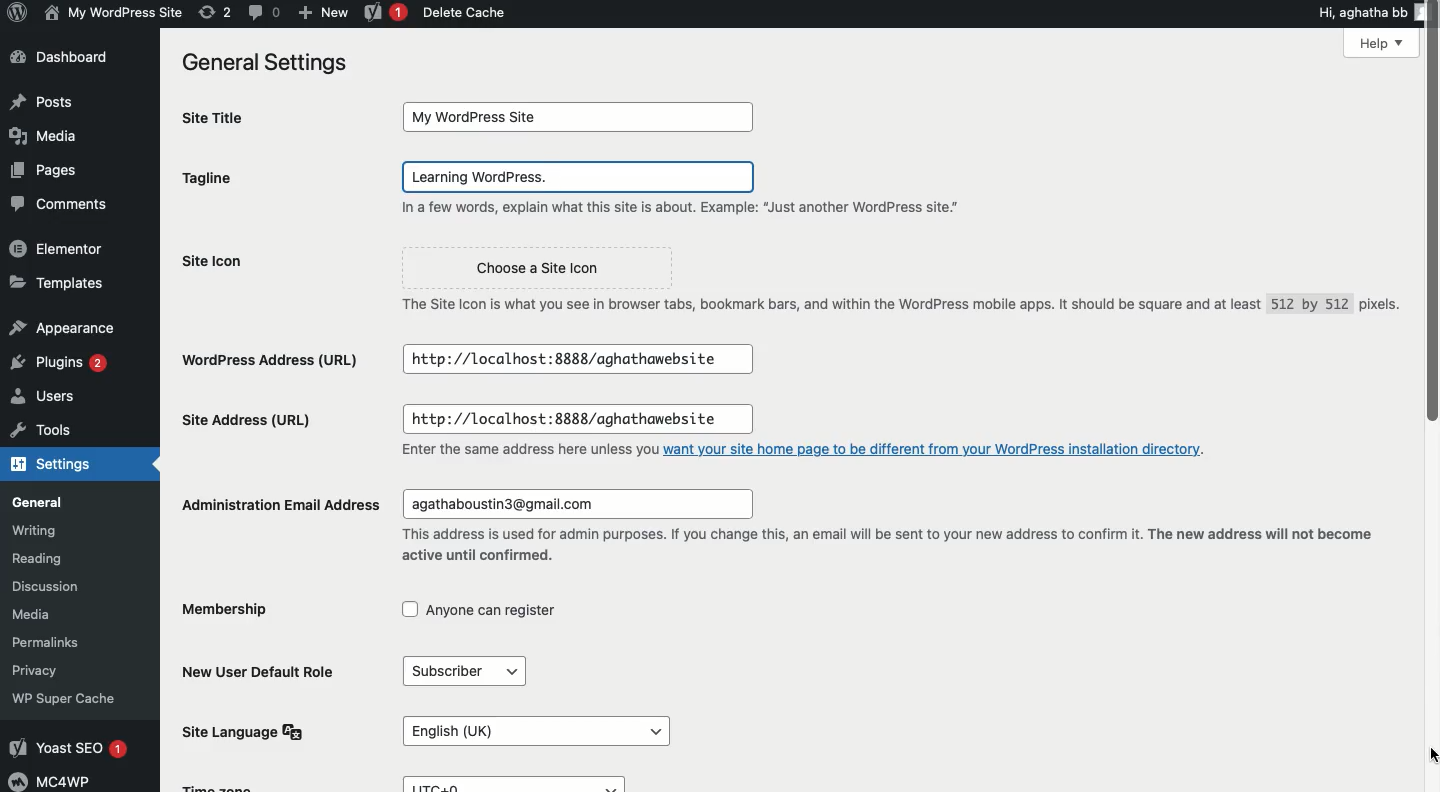 Image resolution: width=1440 pixels, height=792 pixels. What do you see at coordinates (543, 264) in the screenshot?
I see `Choose a Site Icon` at bounding box center [543, 264].